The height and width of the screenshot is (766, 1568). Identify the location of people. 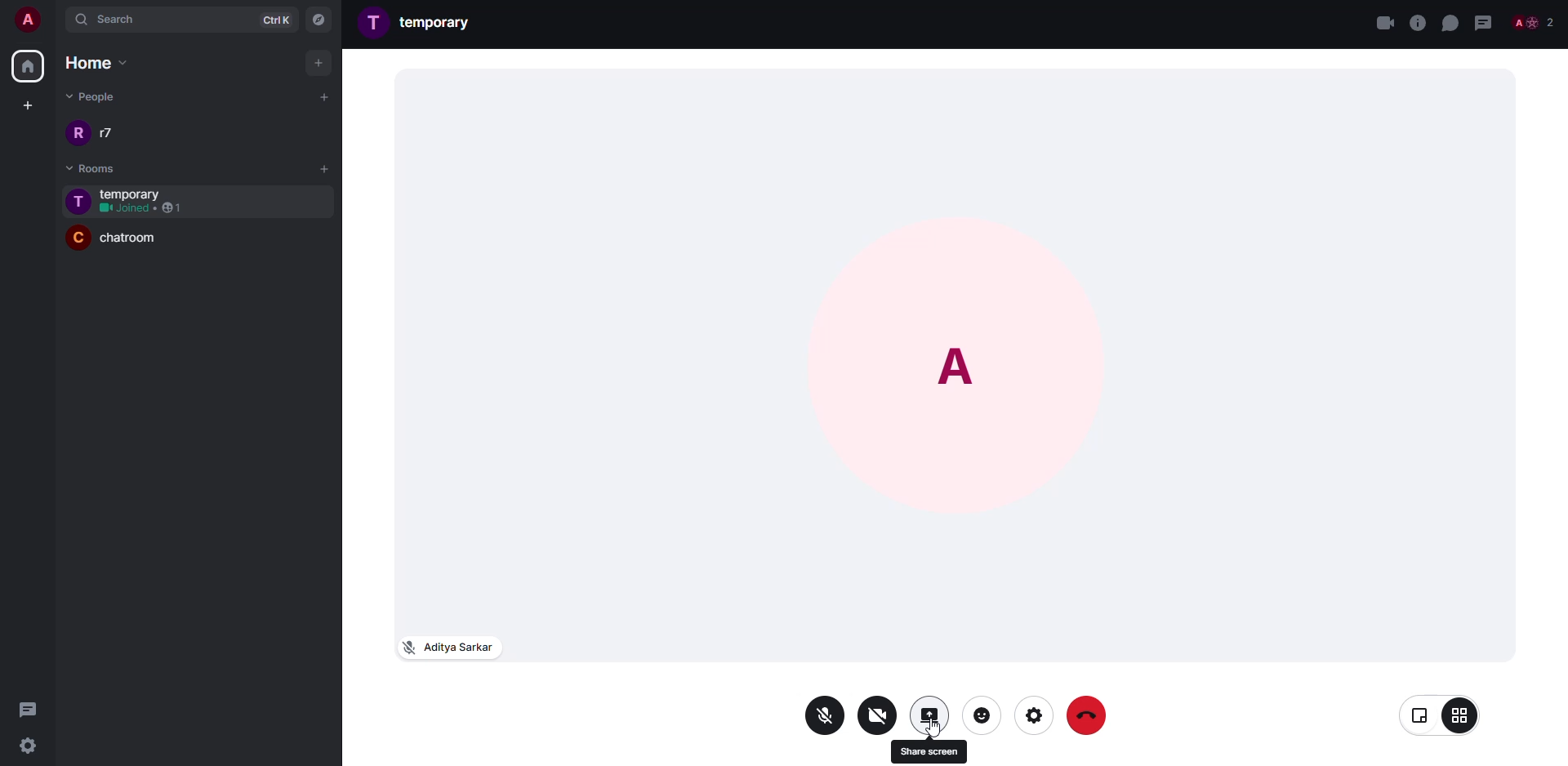
(111, 133).